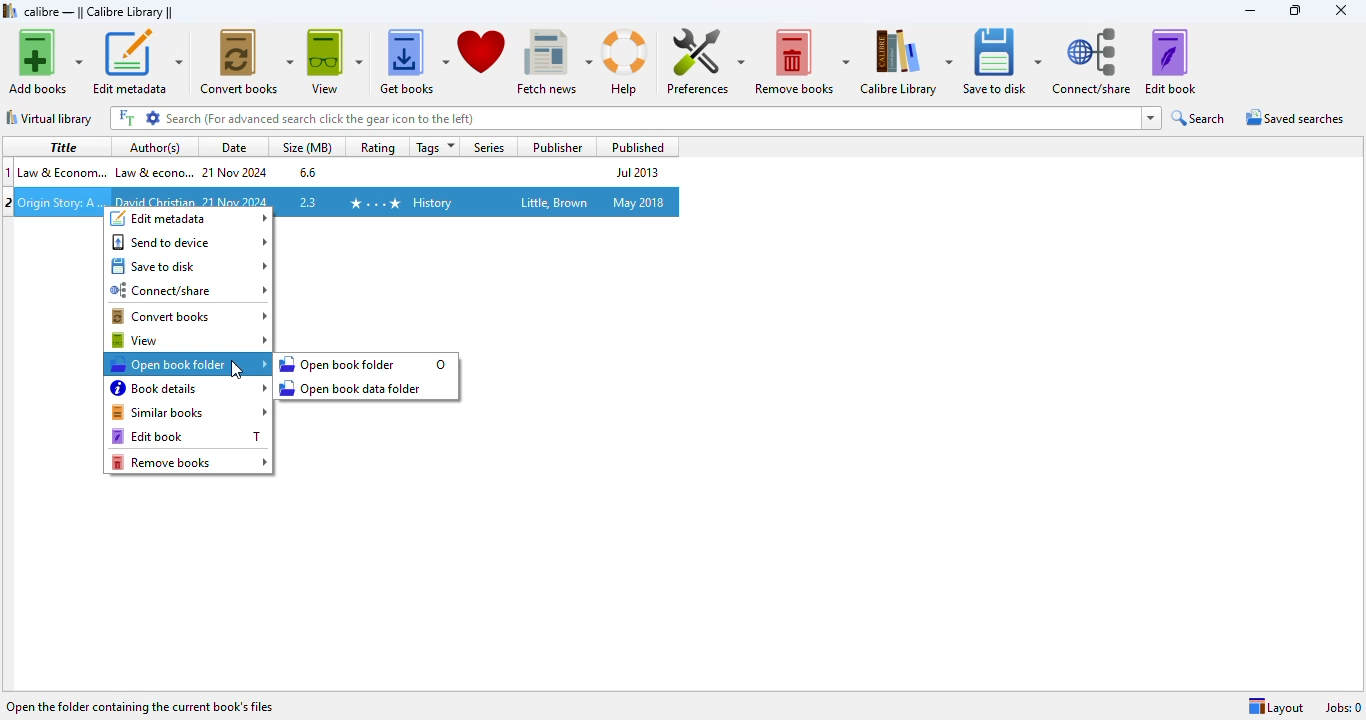  What do you see at coordinates (373, 202) in the screenshot?
I see `4 stars` at bounding box center [373, 202].